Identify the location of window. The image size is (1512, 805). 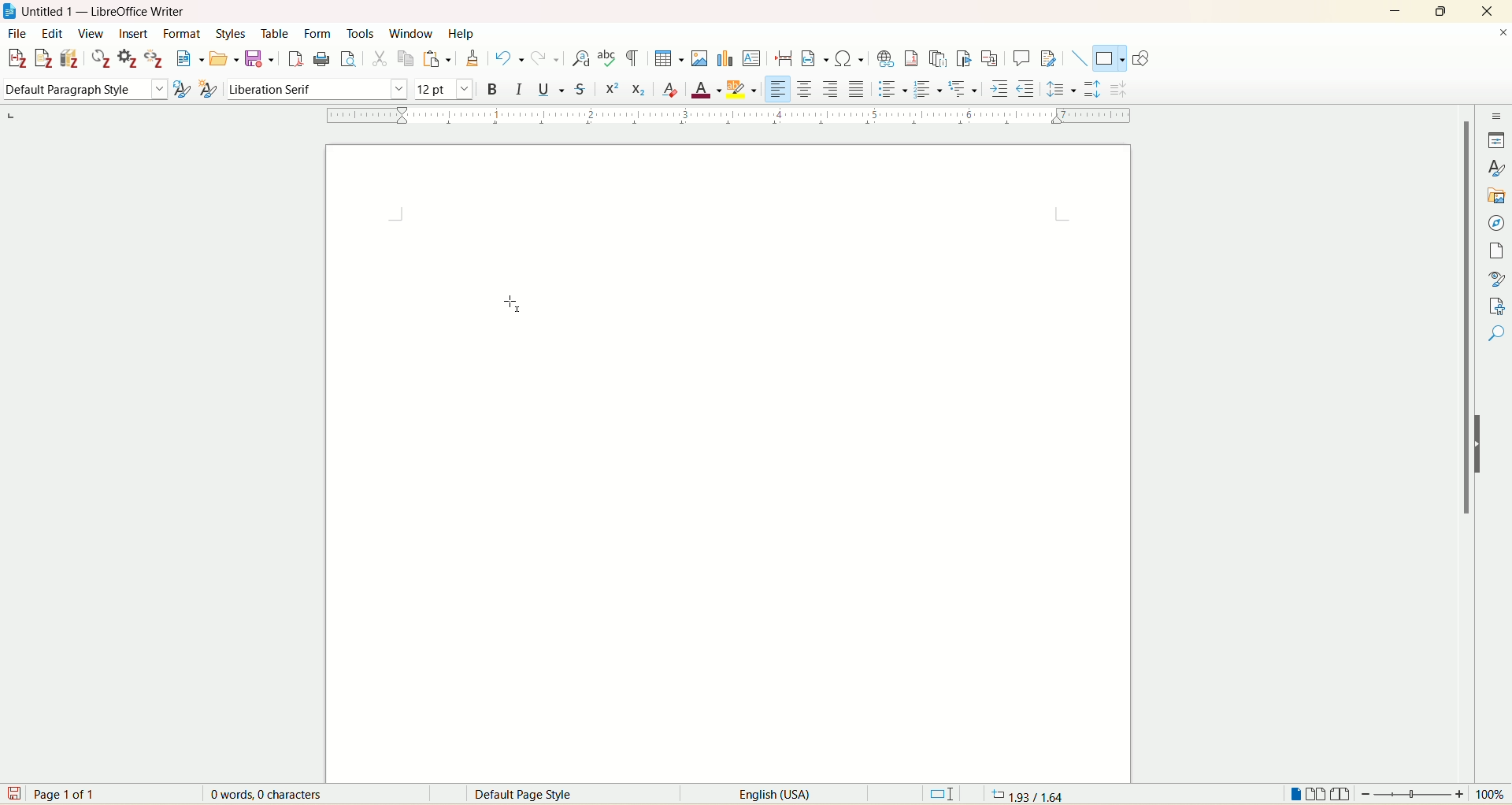
(413, 31).